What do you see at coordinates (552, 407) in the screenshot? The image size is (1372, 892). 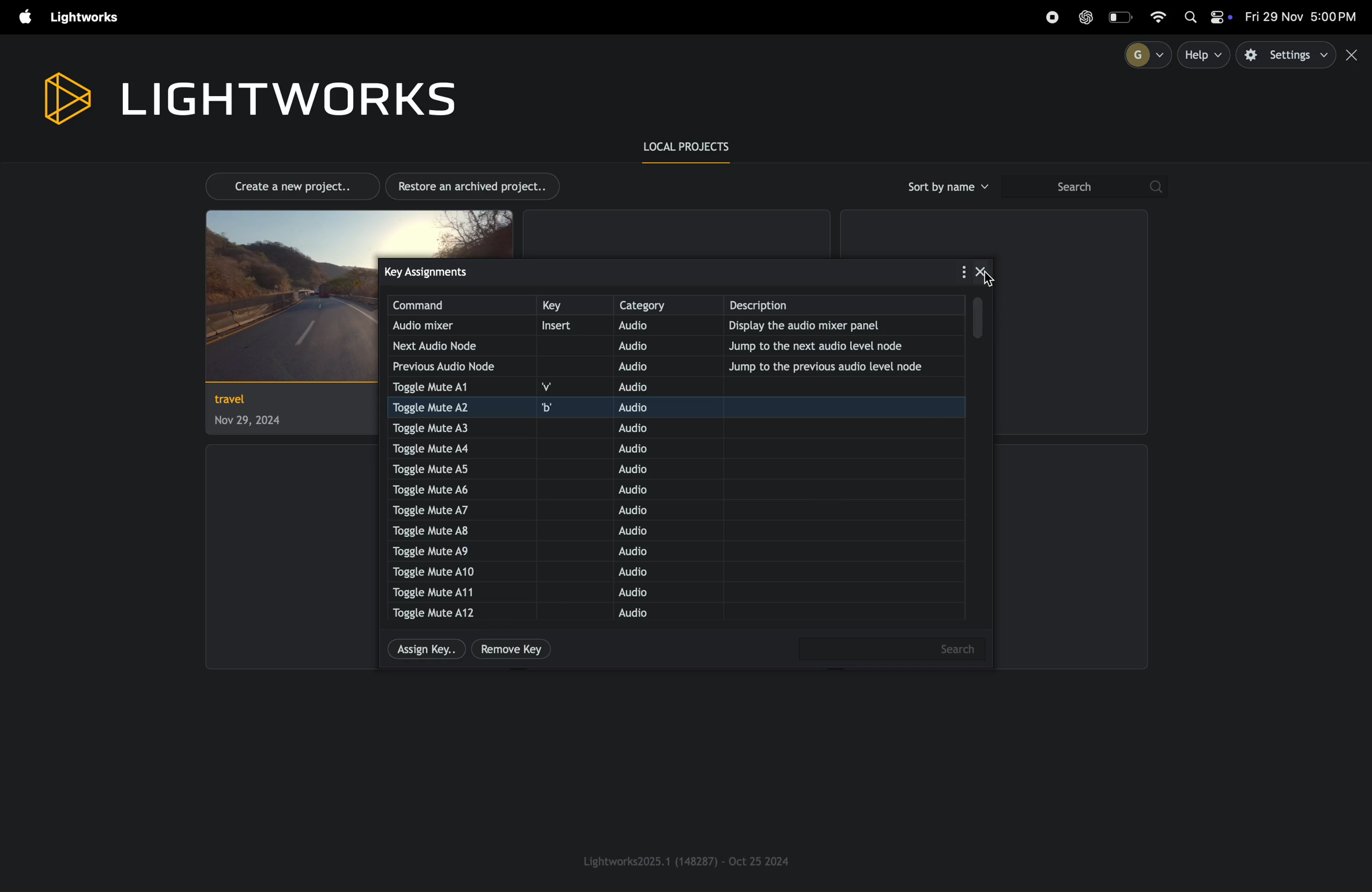 I see `b` at bounding box center [552, 407].